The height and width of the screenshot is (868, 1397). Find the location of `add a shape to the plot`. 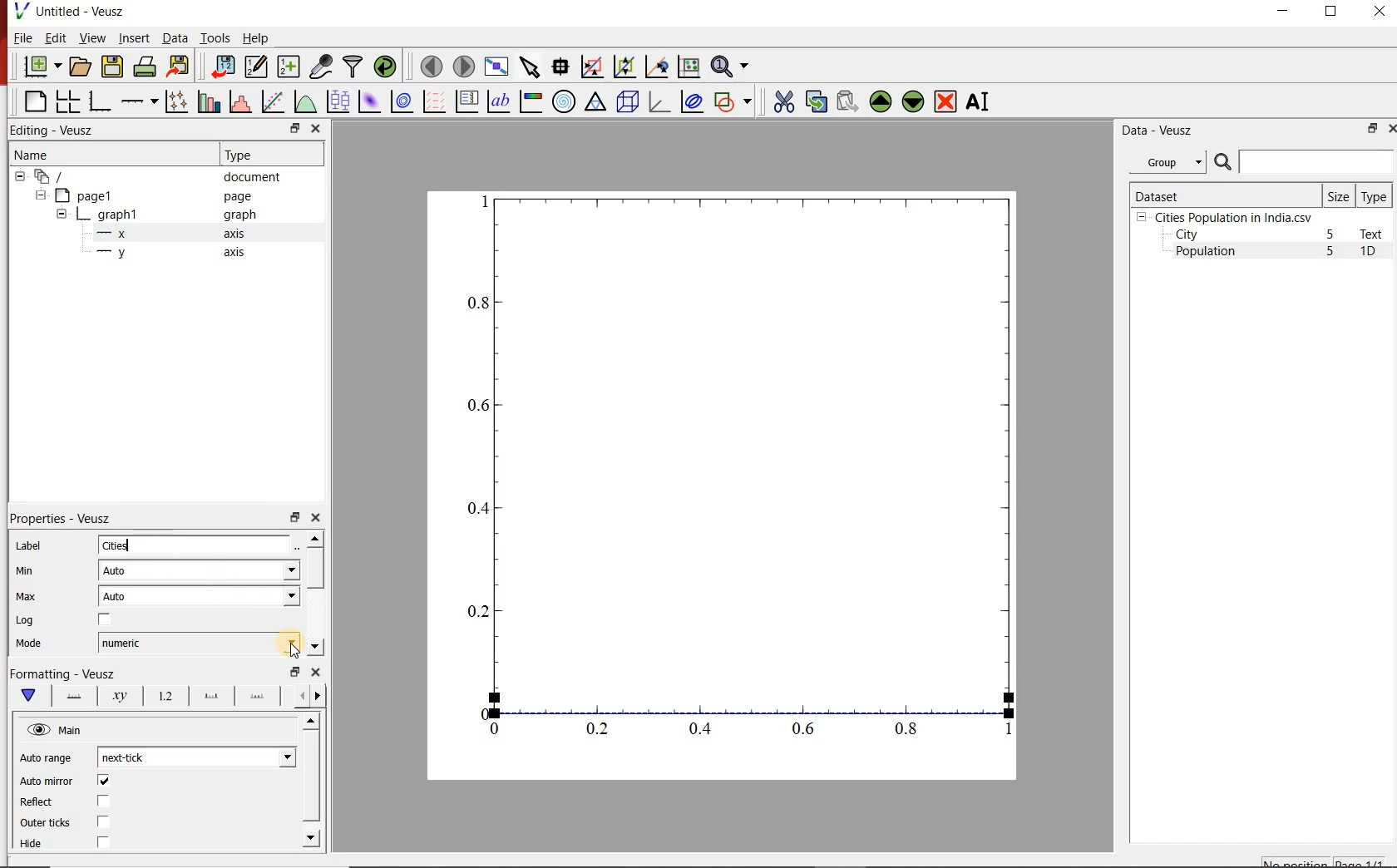

add a shape to the plot is located at coordinates (733, 101).